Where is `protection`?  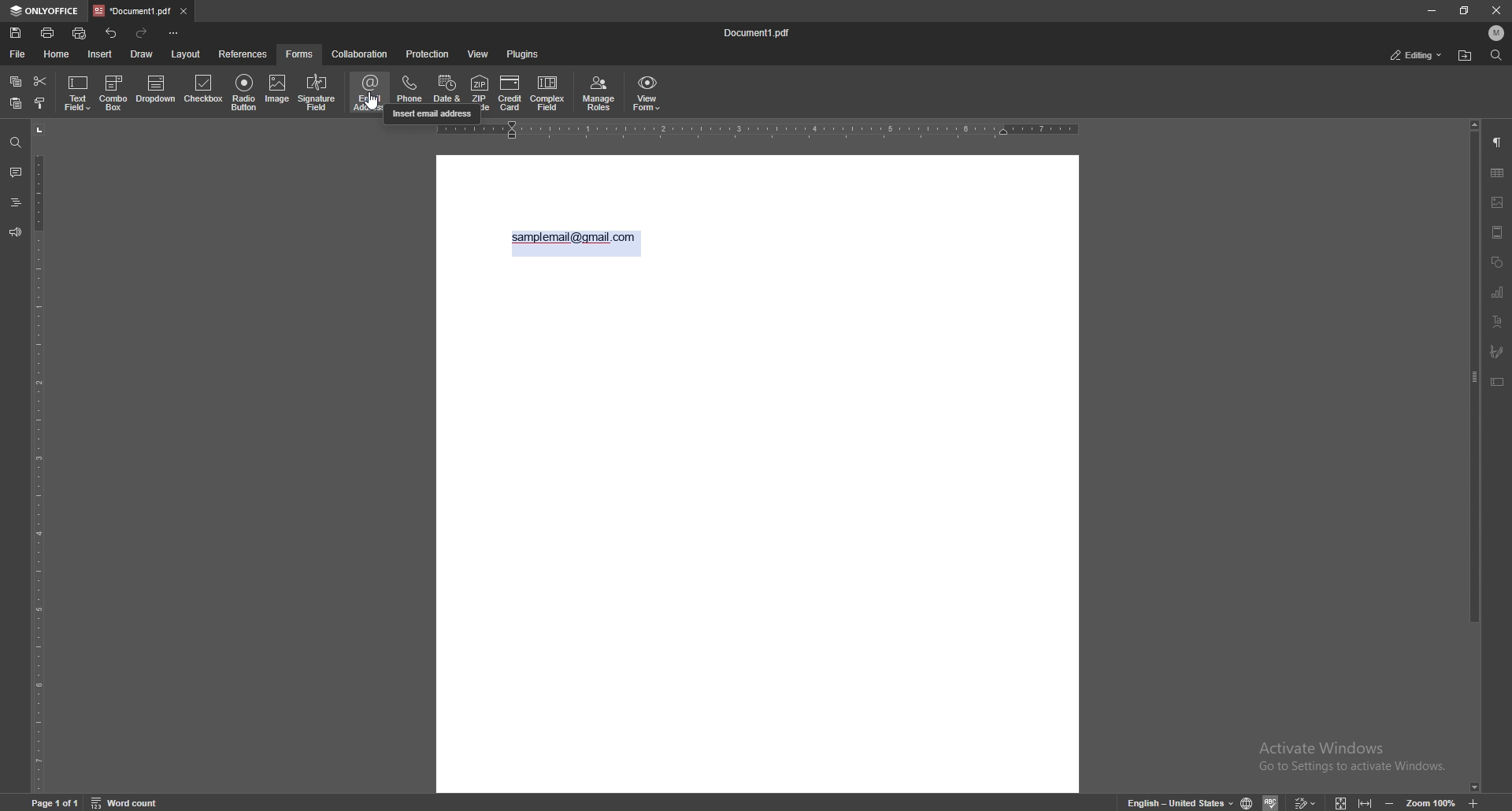 protection is located at coordinates (428, 54).